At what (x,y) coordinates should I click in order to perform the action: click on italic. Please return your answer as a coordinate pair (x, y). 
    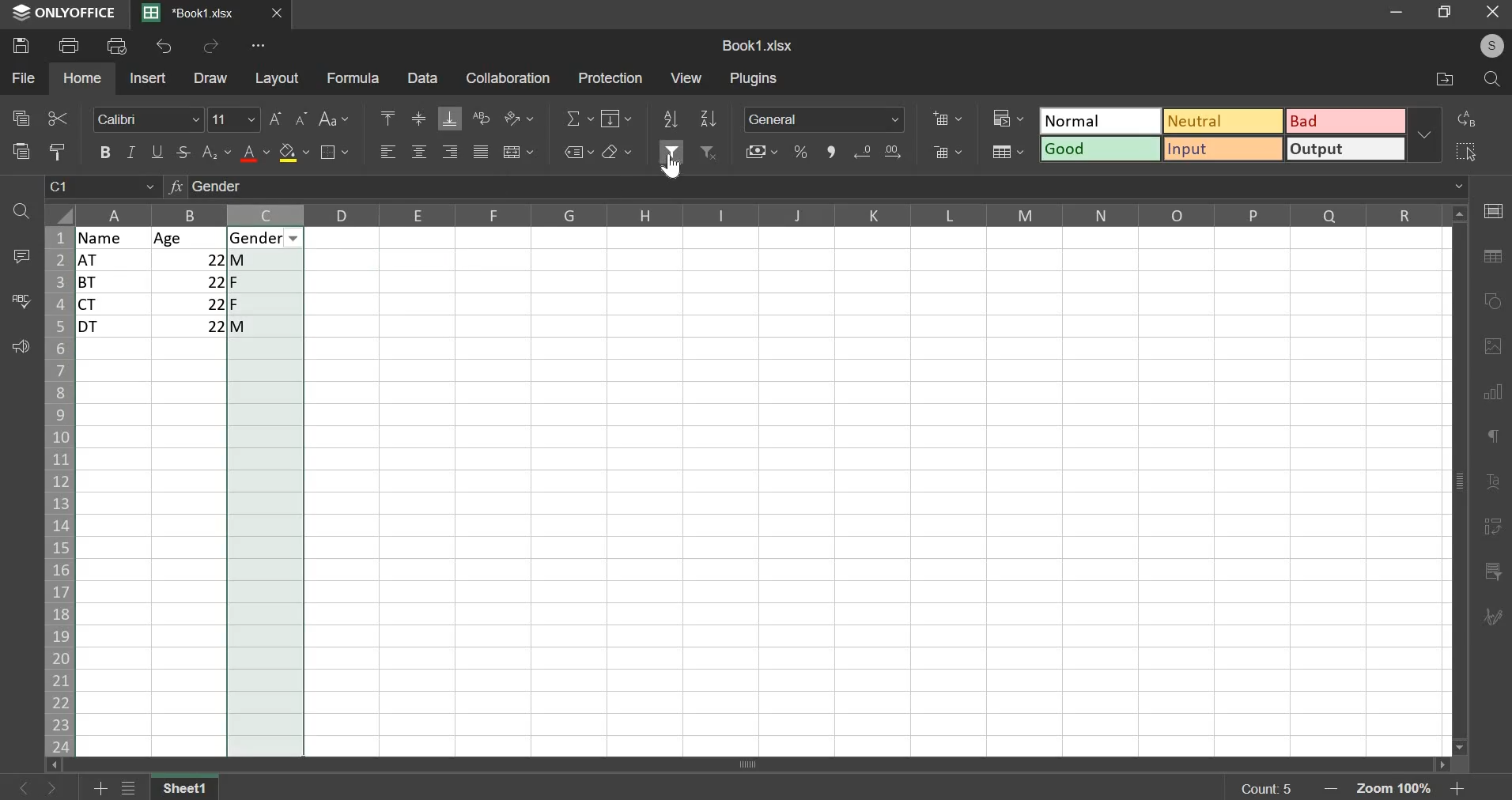
    Looking at the image, I should click on (130, 152).